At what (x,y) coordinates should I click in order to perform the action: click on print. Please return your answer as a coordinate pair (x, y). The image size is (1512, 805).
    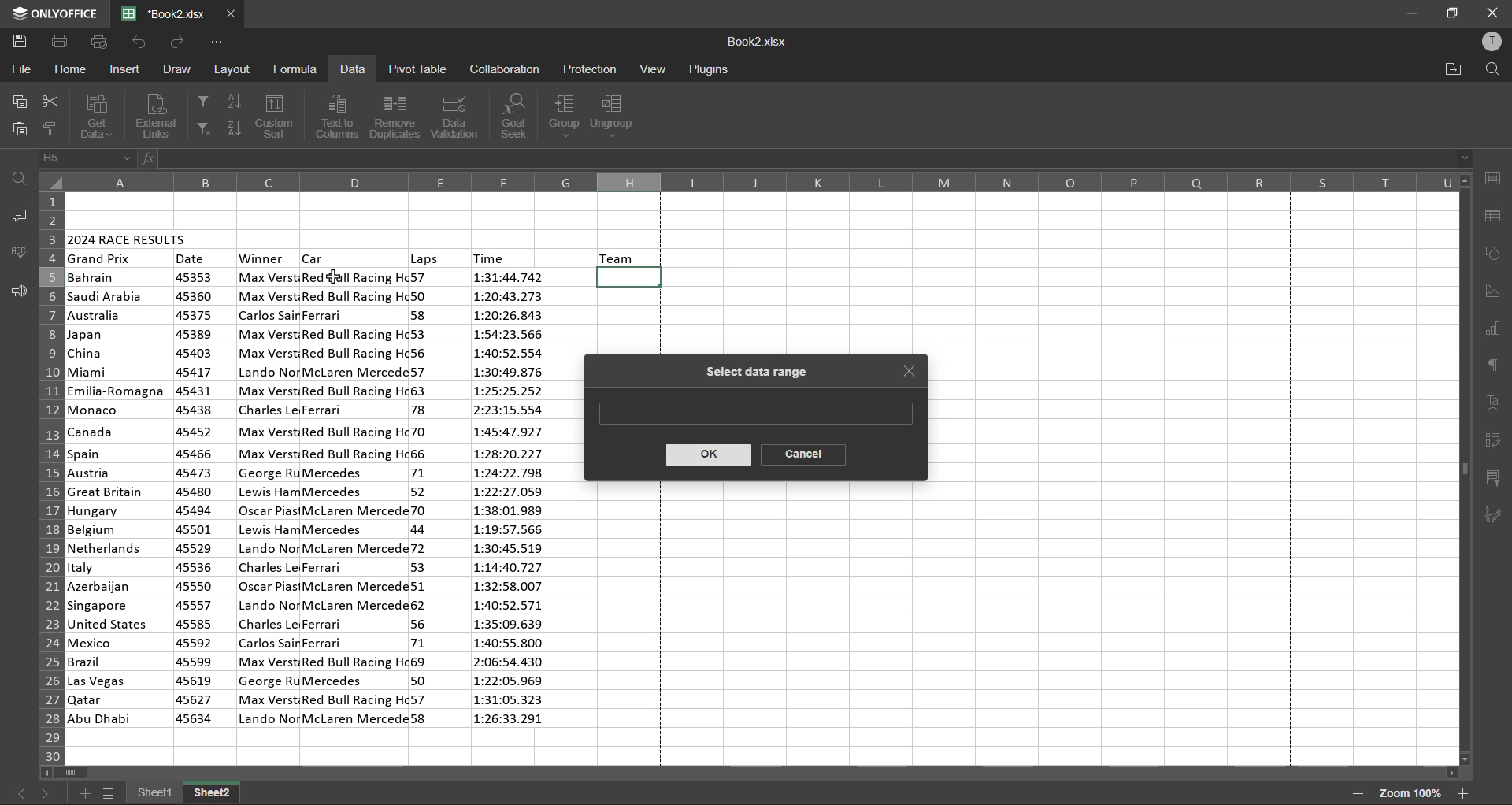
    Looking at the image, I should click on (61, 42).